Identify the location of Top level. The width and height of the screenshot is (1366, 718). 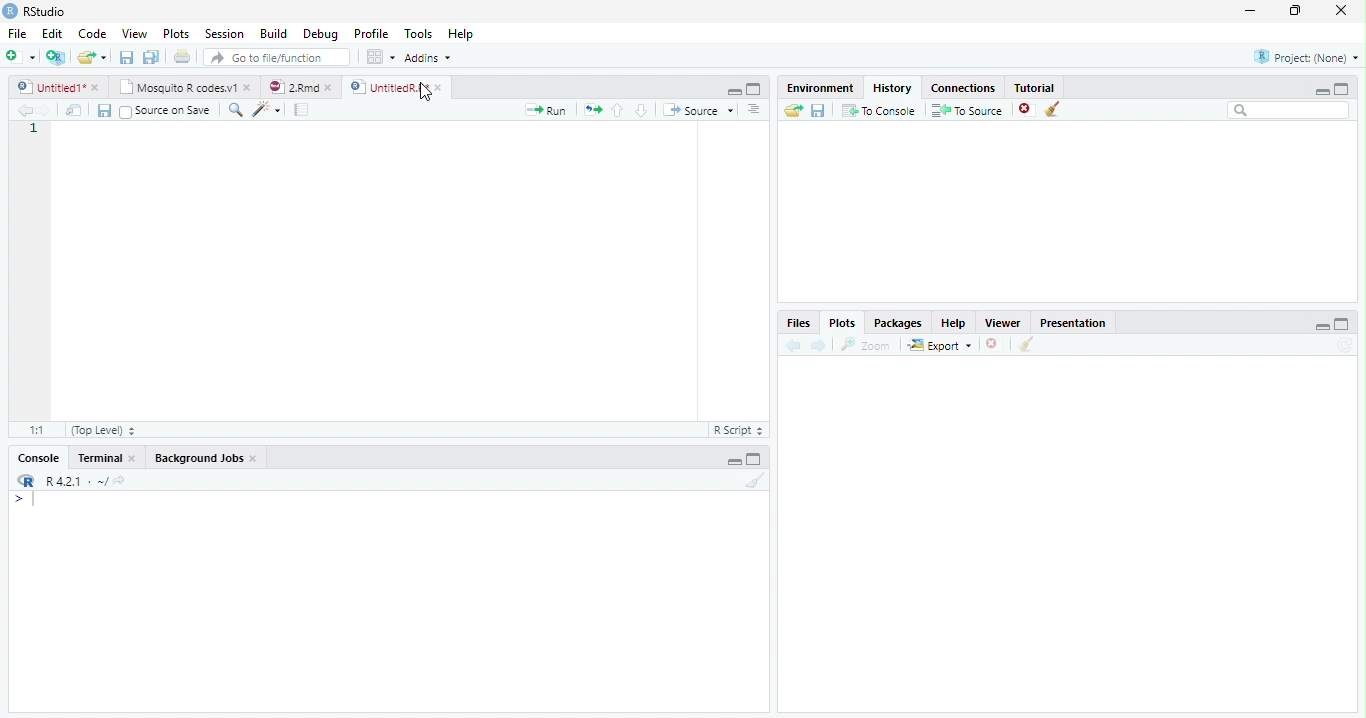
(106, 431).